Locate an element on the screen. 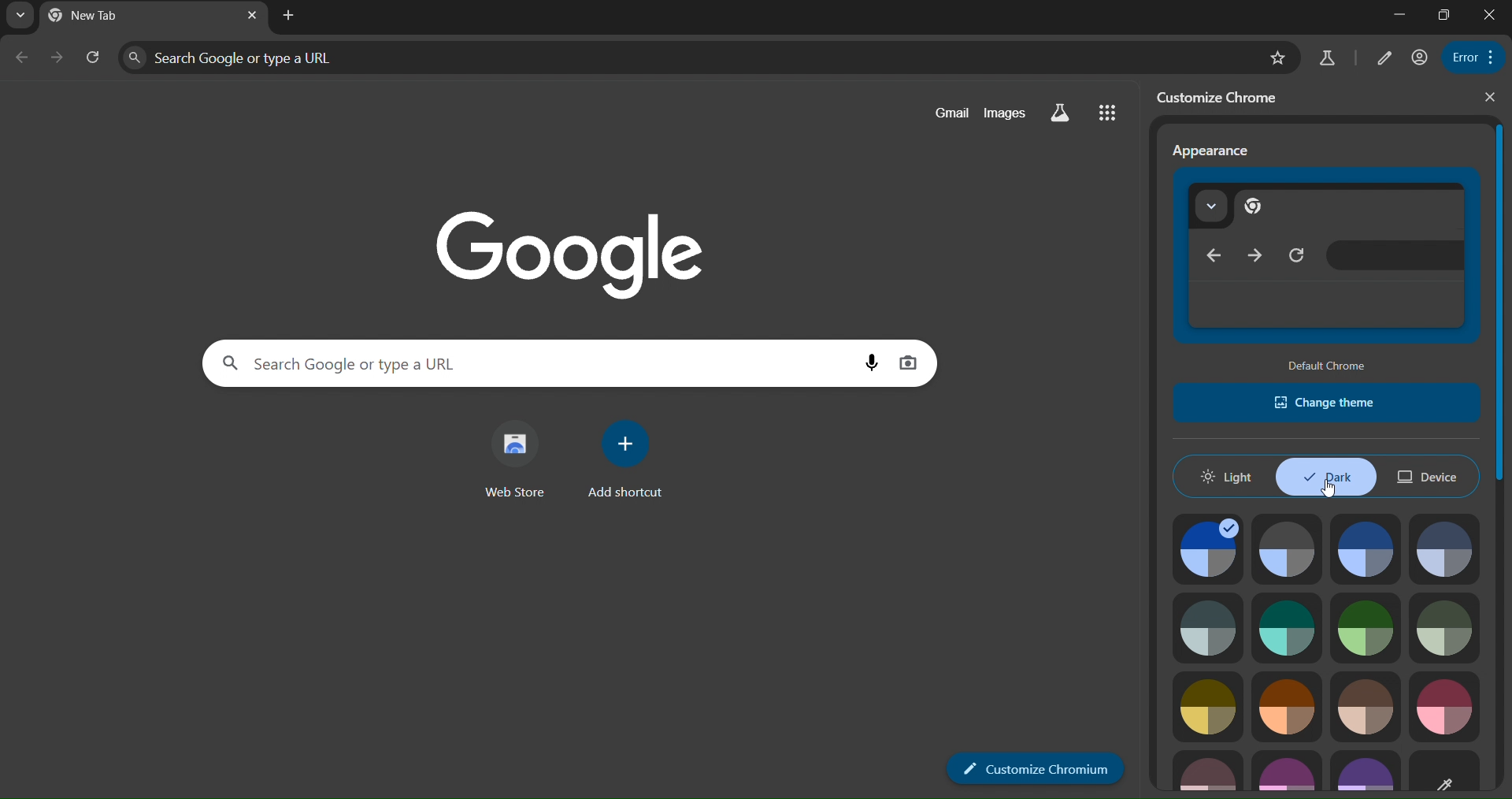 This screenshot has height=799, width=1512. customize chrome is located at coordinates (1220, 98).